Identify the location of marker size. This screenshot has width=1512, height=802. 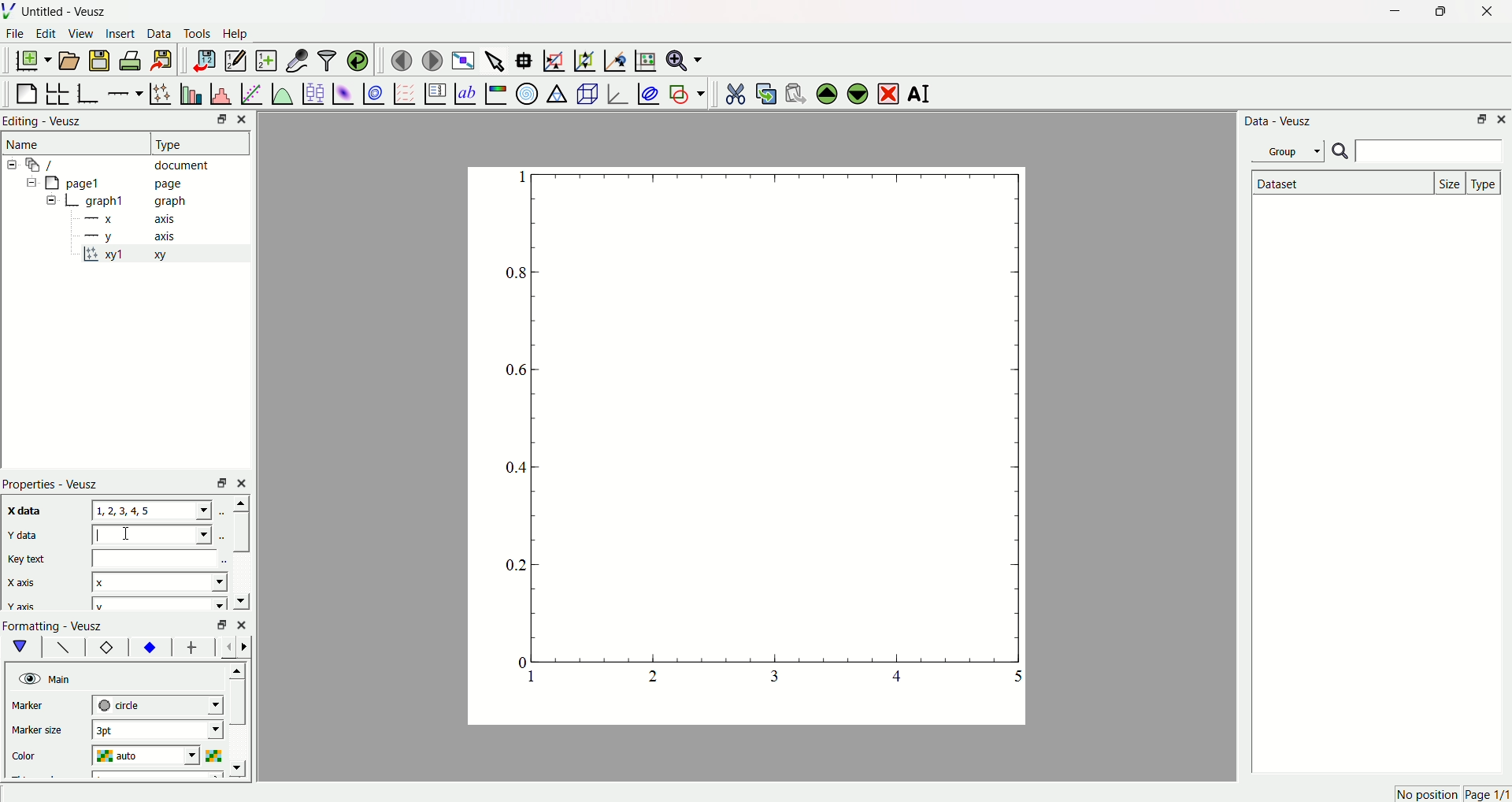
(41, 732).